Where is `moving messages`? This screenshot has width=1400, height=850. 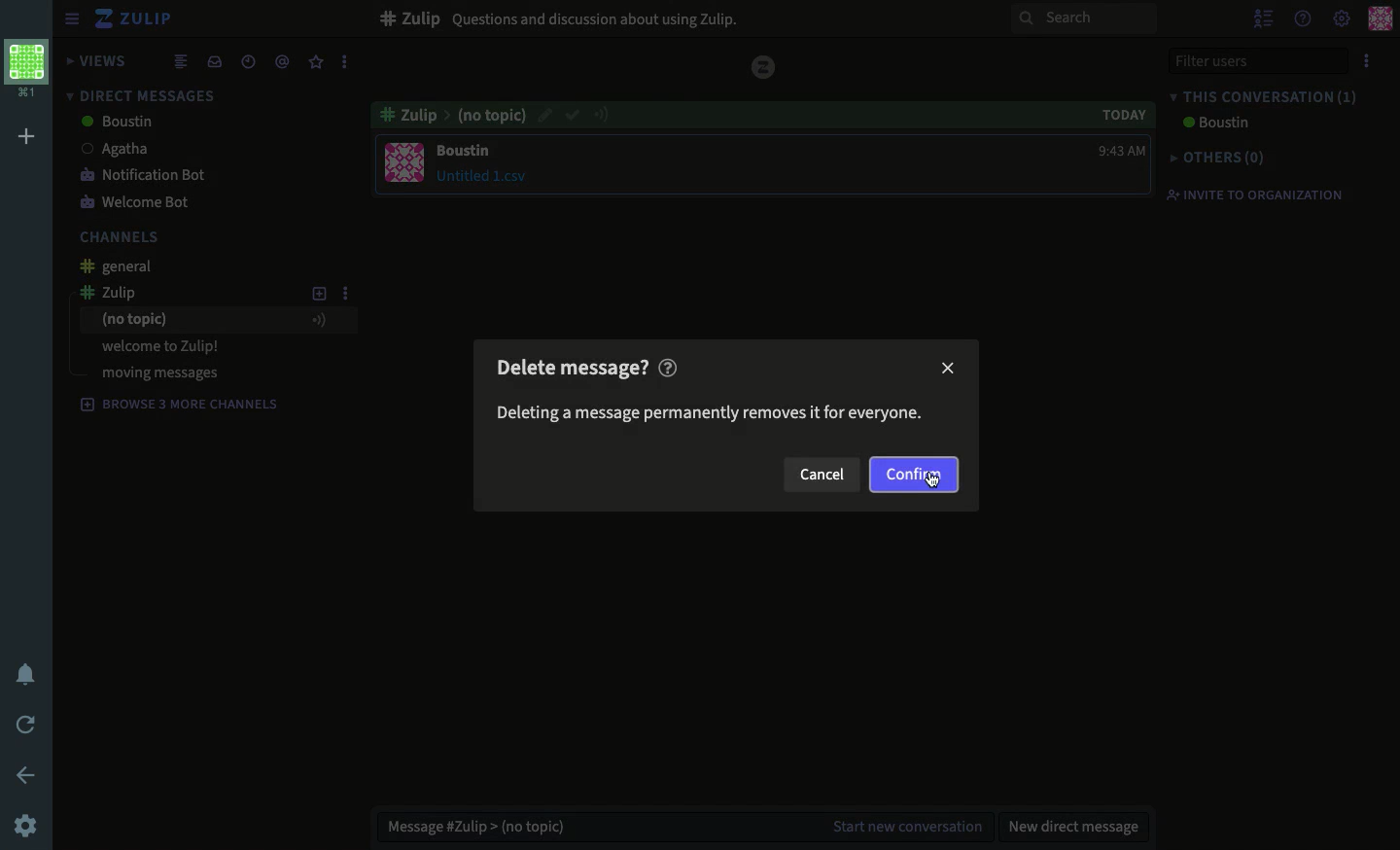 moving messages is located at coordinates (160, 372).